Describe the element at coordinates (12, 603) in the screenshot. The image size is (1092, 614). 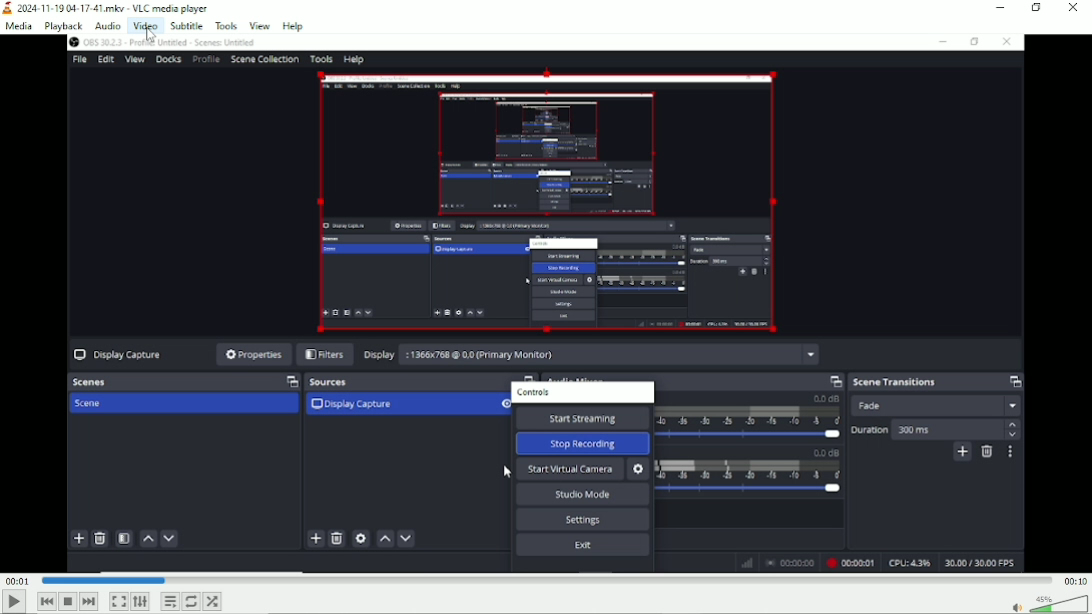
I see `Play` at that location.